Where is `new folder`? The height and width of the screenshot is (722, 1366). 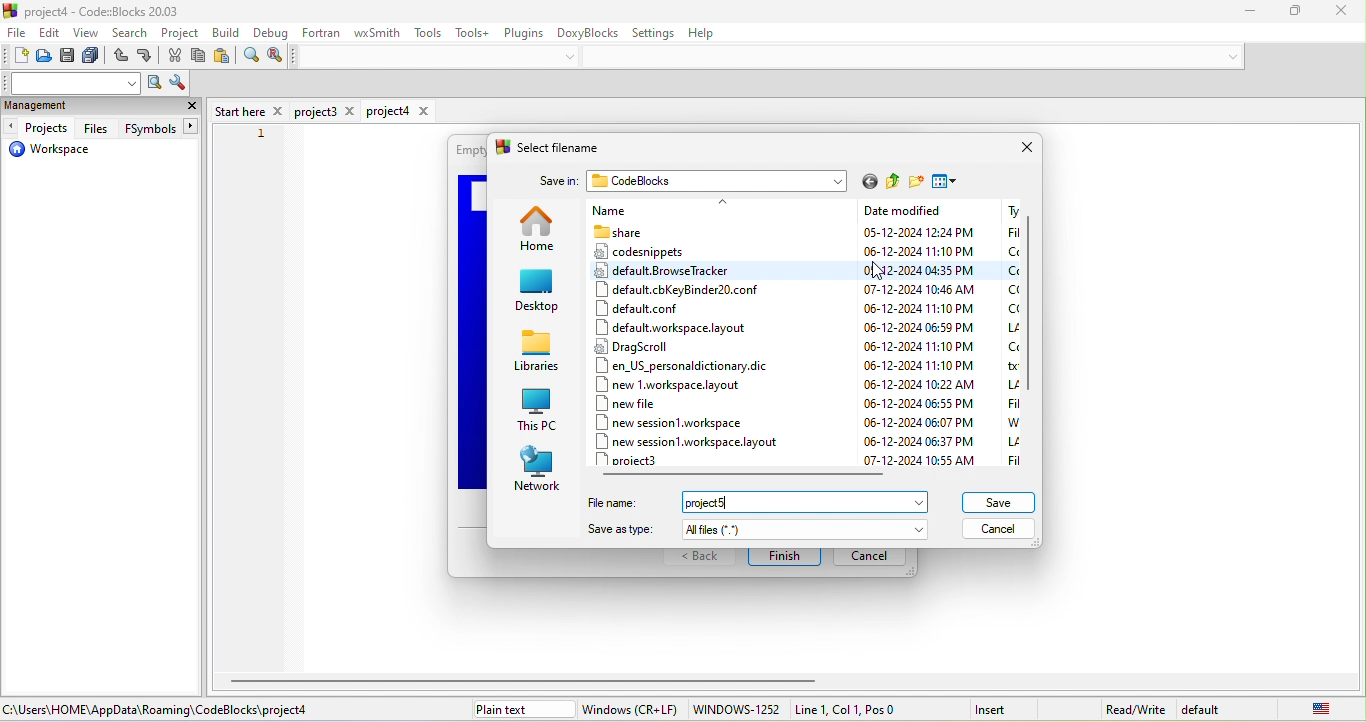 new folder is located at coordinates (913, 182).